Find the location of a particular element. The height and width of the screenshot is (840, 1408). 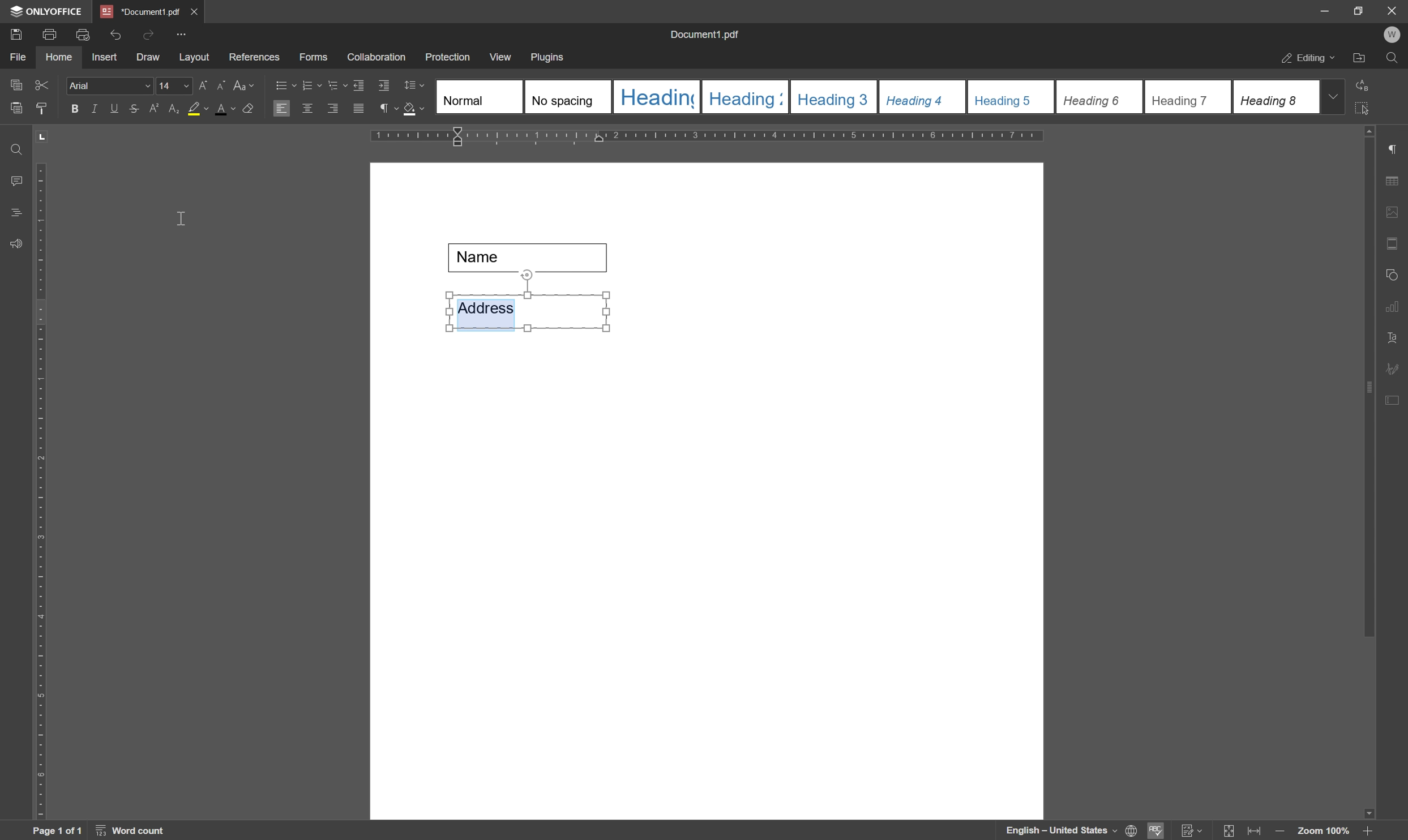

copy style is located at coordinates (42, 107).